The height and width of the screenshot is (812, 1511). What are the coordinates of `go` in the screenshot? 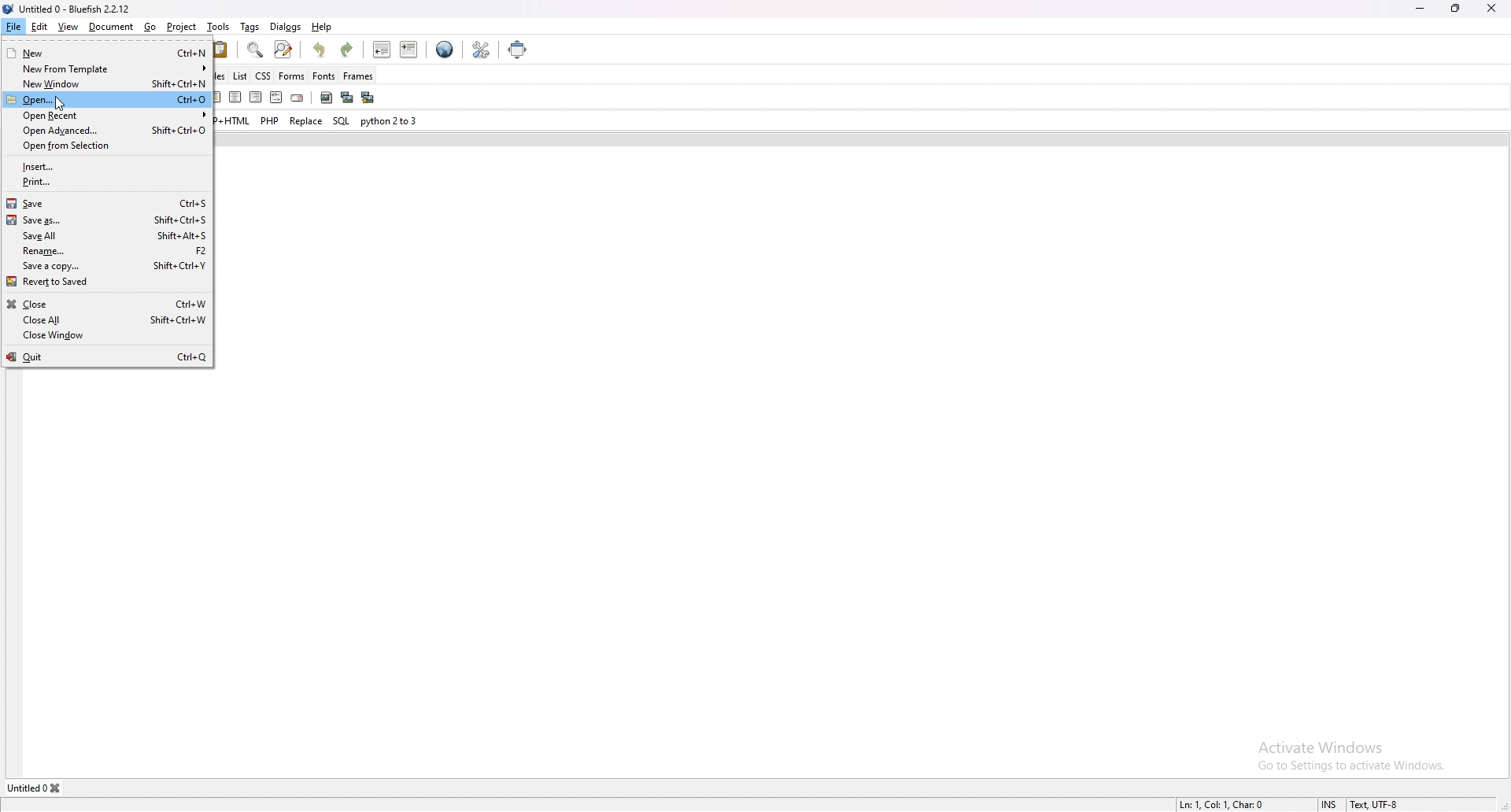 It's located at (152, 27).